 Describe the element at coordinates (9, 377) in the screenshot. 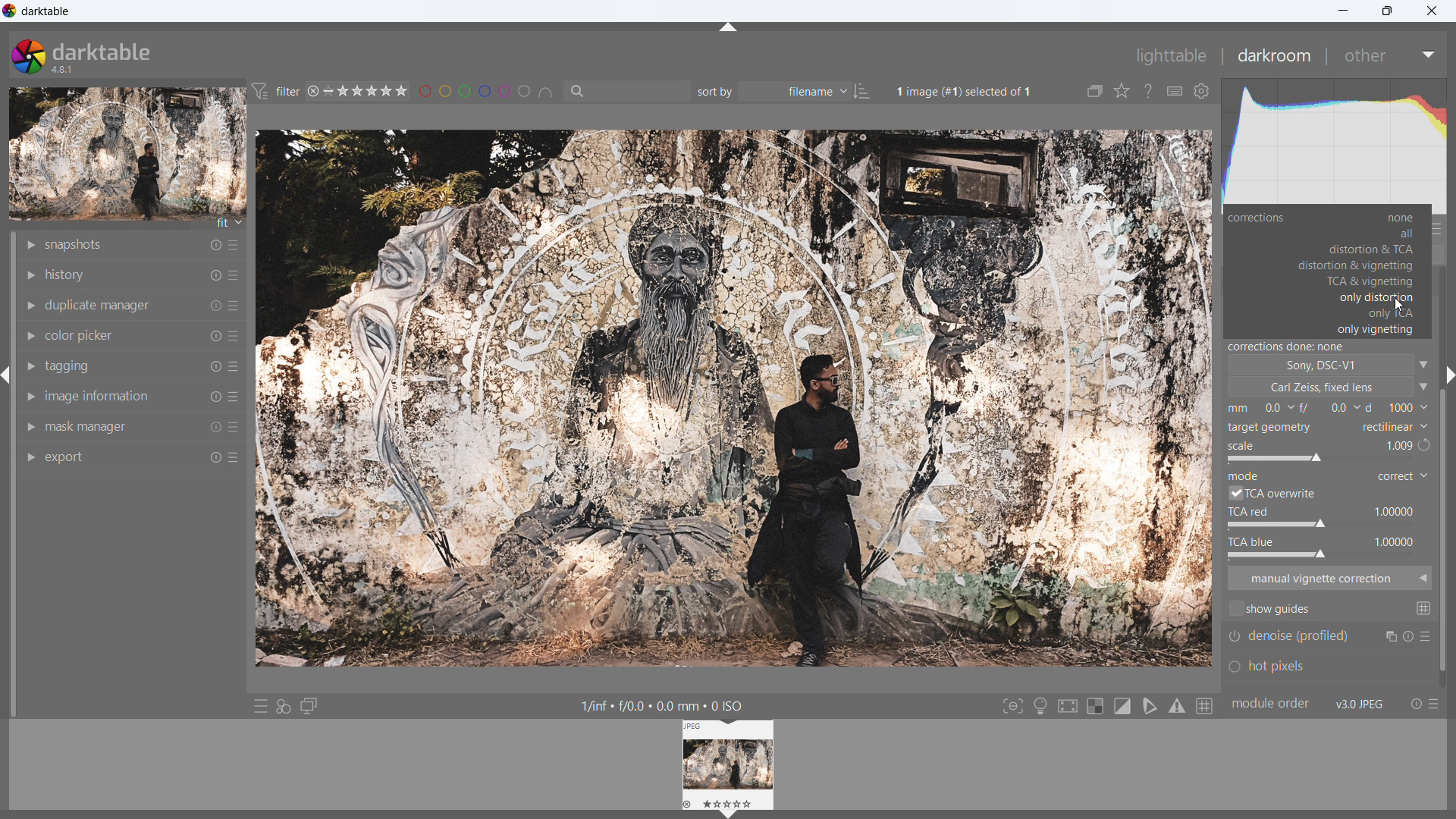

I see `hide panel` at that location.